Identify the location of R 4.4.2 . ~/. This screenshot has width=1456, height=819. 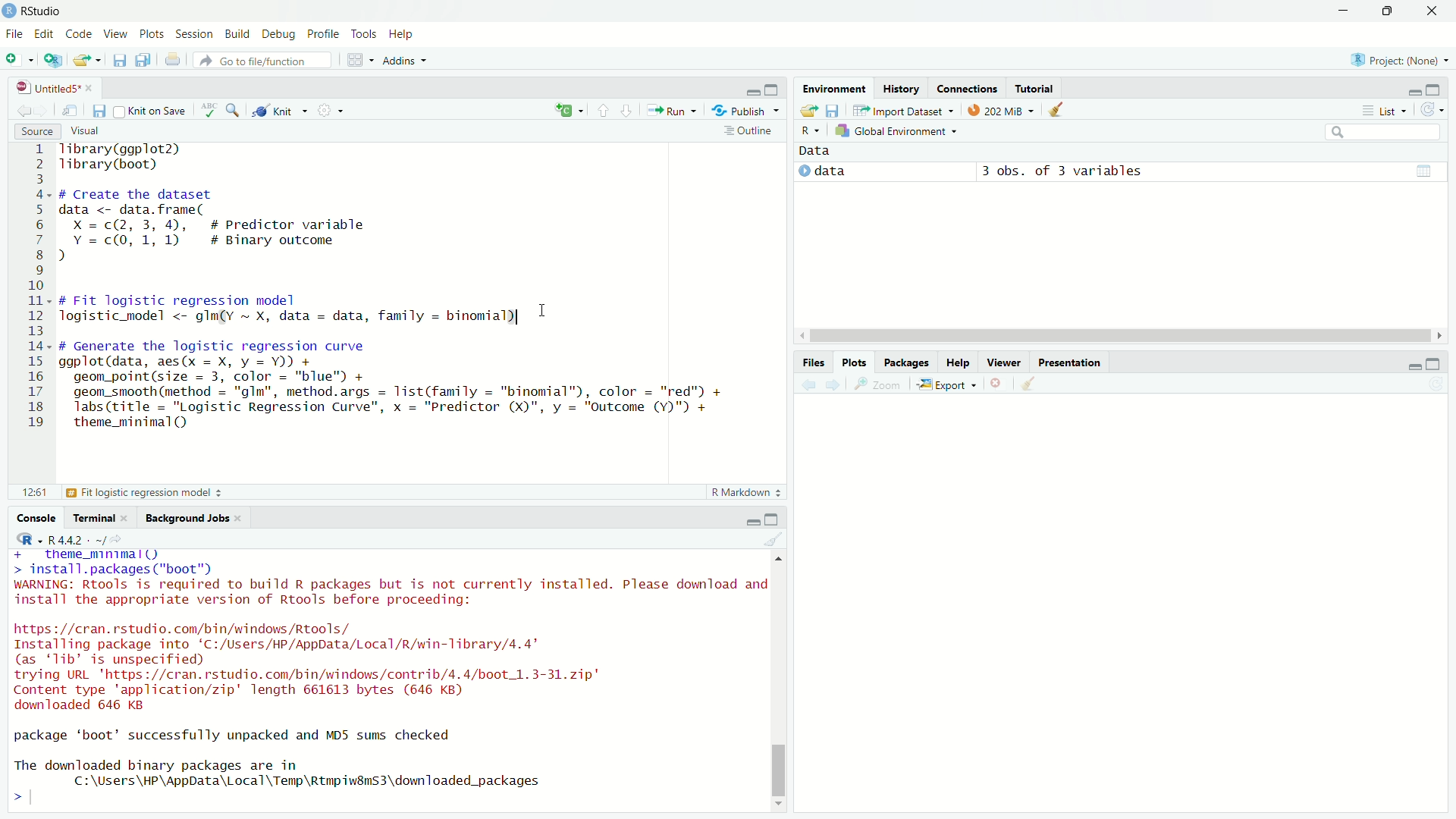
(77, 539).